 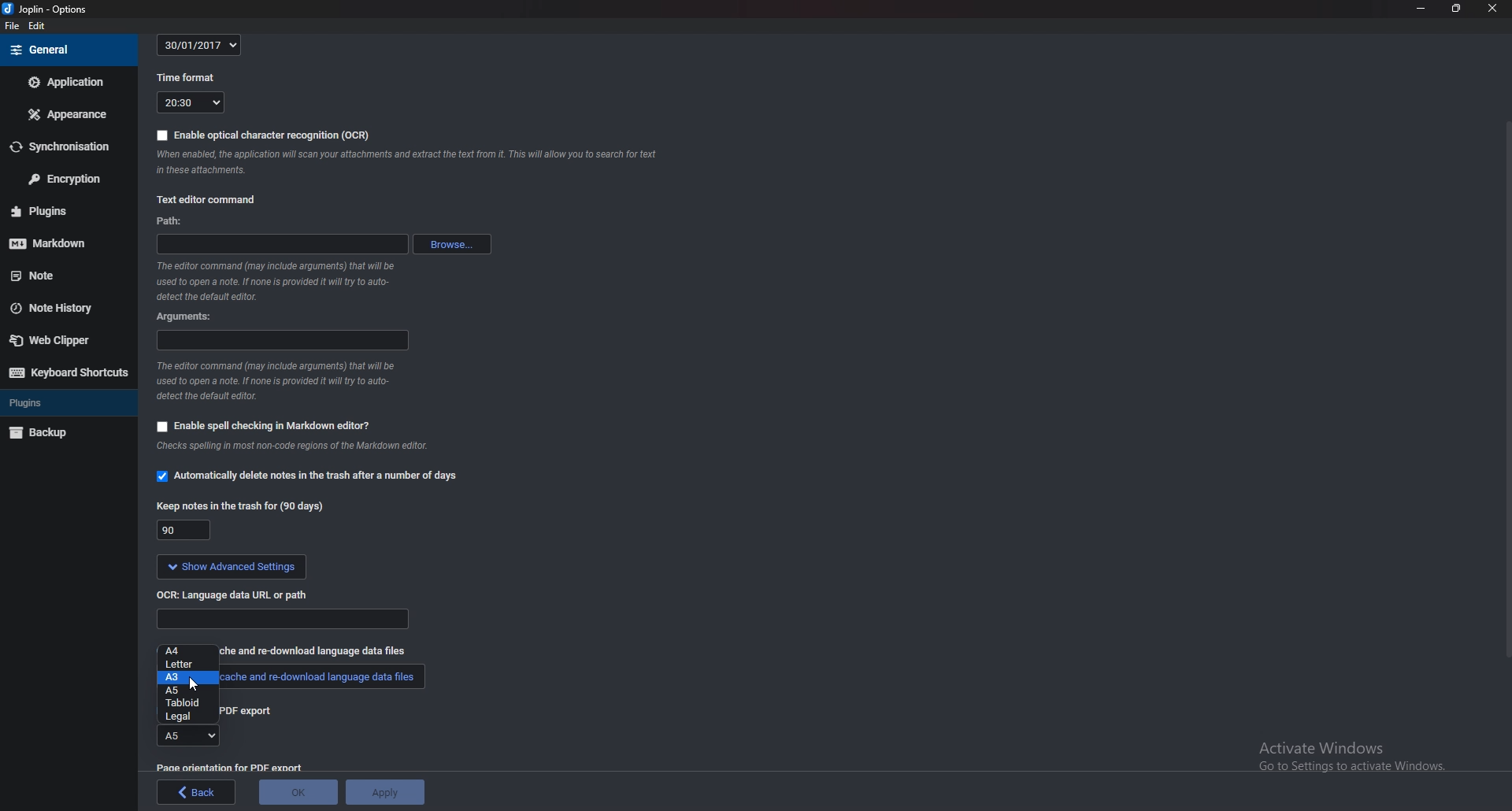 I want to click on browse, so click(x=451, y=244).